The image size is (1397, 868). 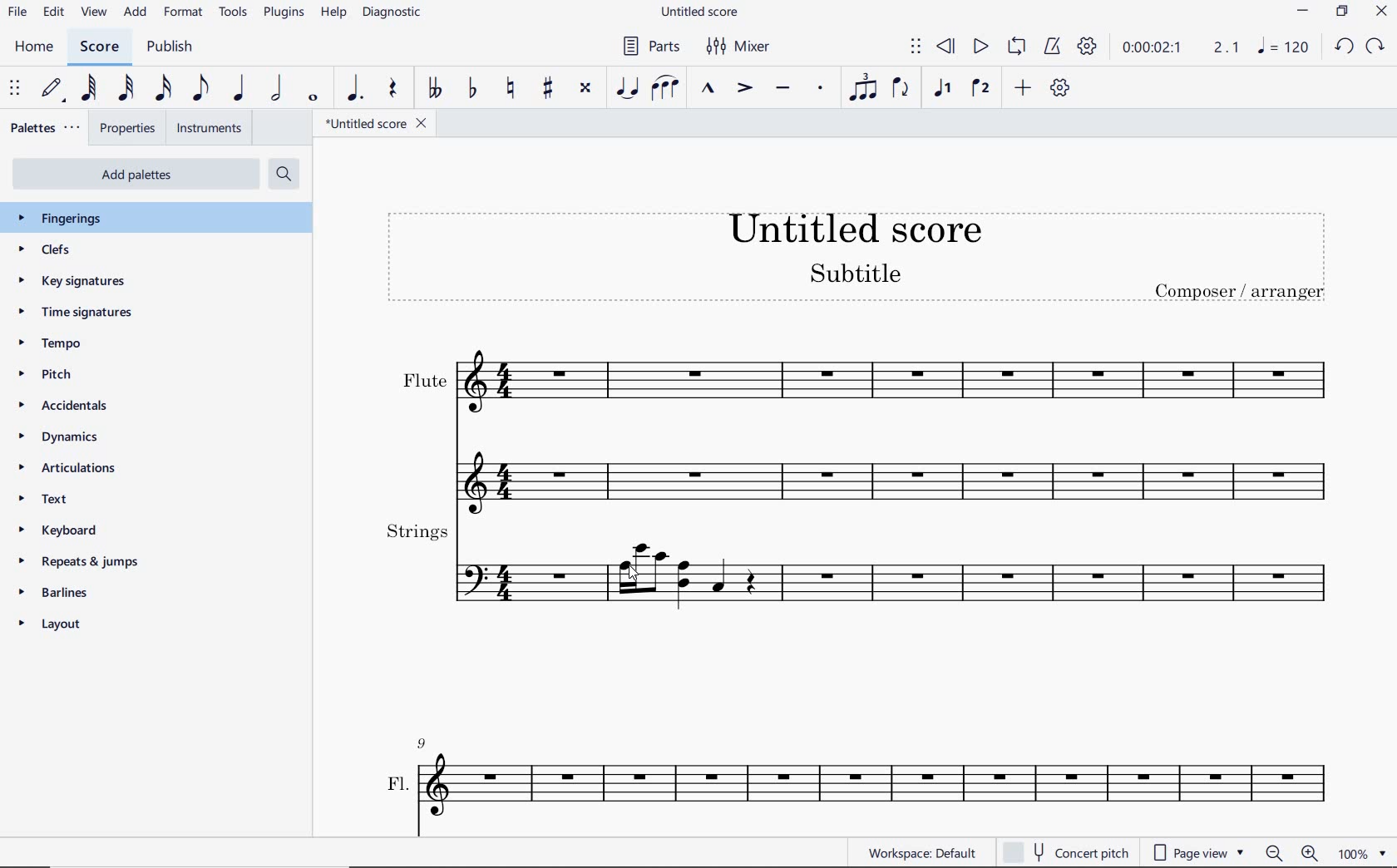 I want to click on concert pitch, so click(x=1066, y=851).